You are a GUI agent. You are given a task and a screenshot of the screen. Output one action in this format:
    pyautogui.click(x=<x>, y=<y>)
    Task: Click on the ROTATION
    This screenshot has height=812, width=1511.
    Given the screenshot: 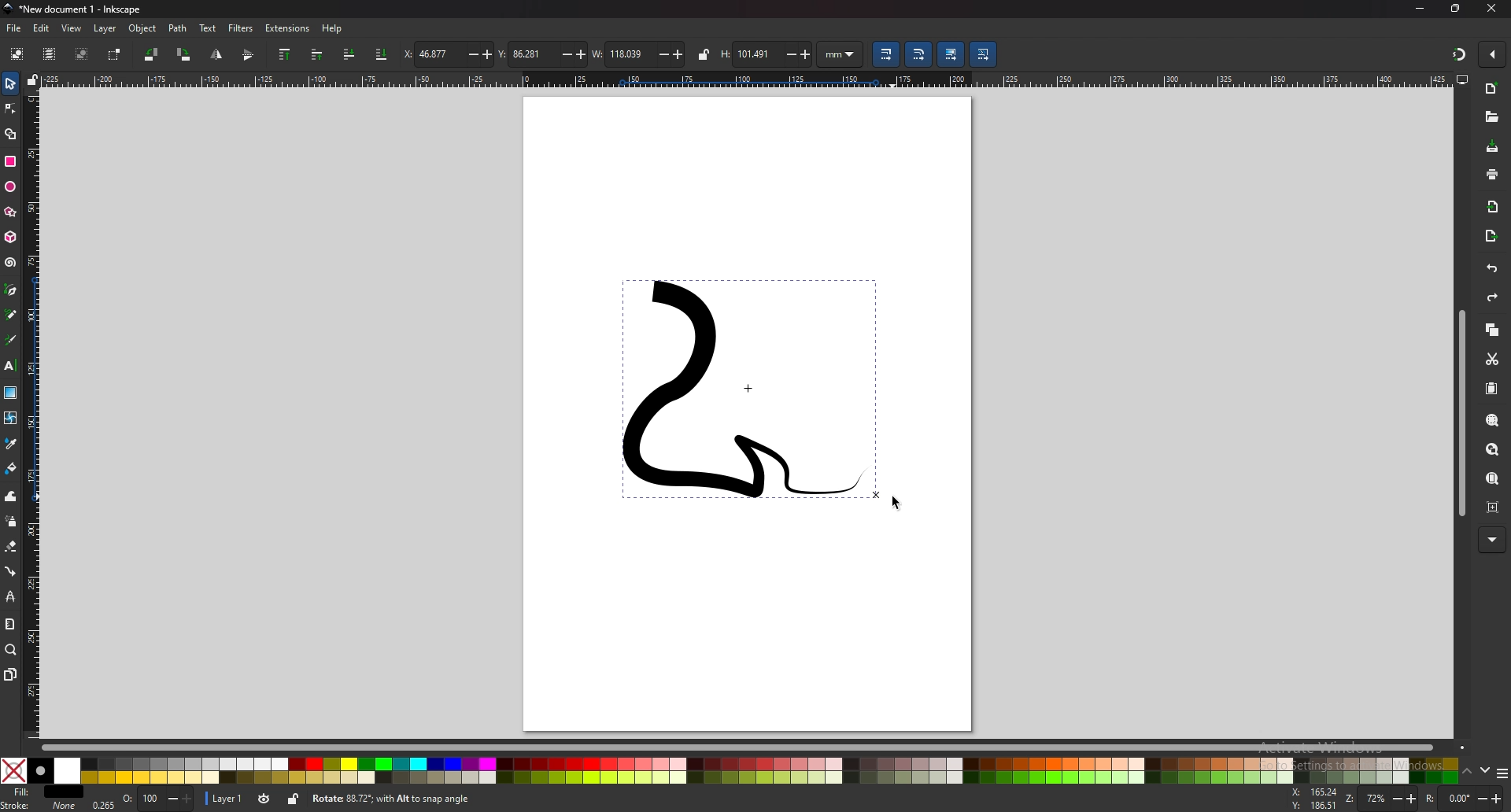 What is the action you would take?
    pyautogui.click(x=1467, y=799)
    